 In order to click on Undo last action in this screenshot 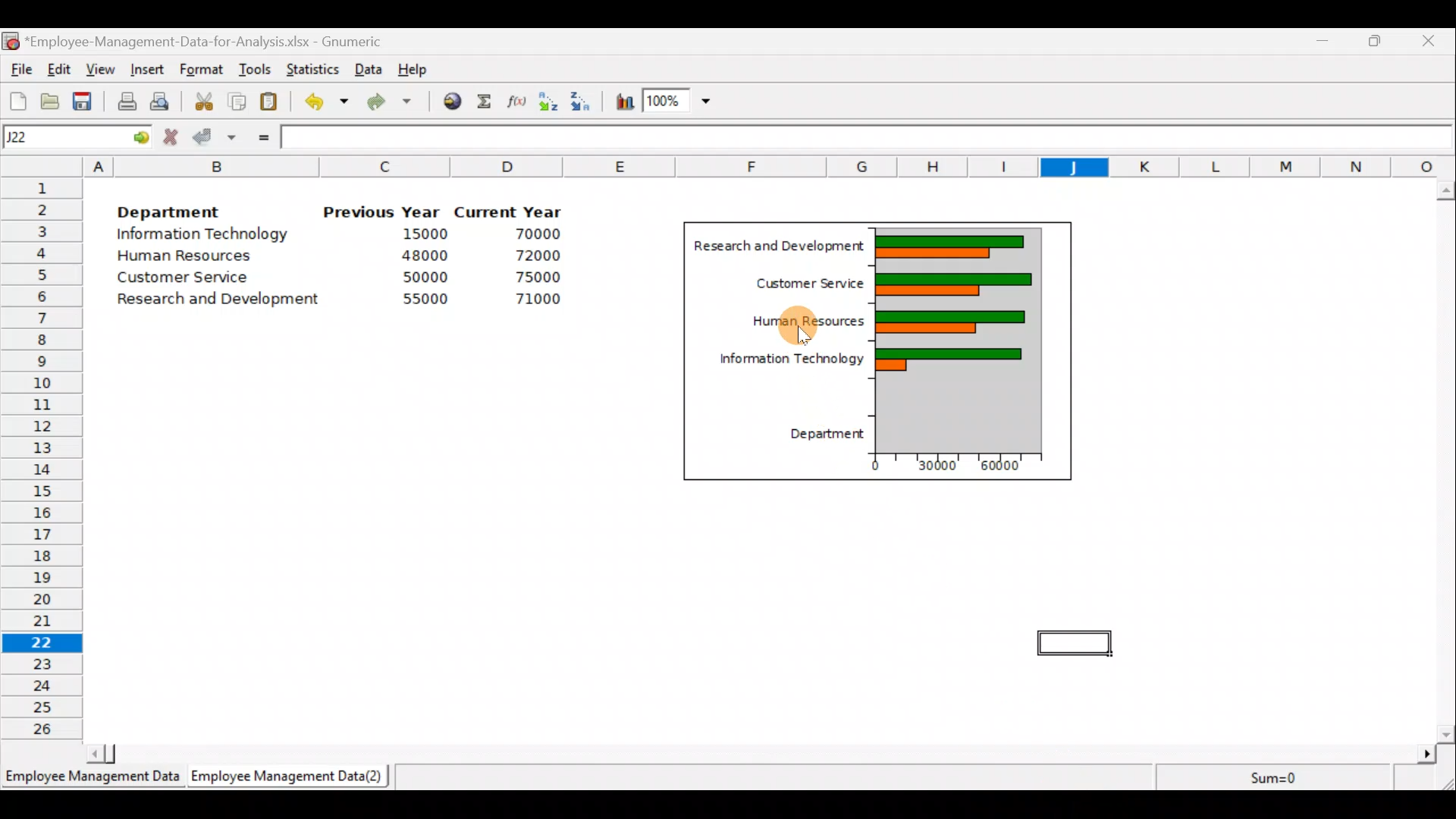, I will do `click(328, 105)`.